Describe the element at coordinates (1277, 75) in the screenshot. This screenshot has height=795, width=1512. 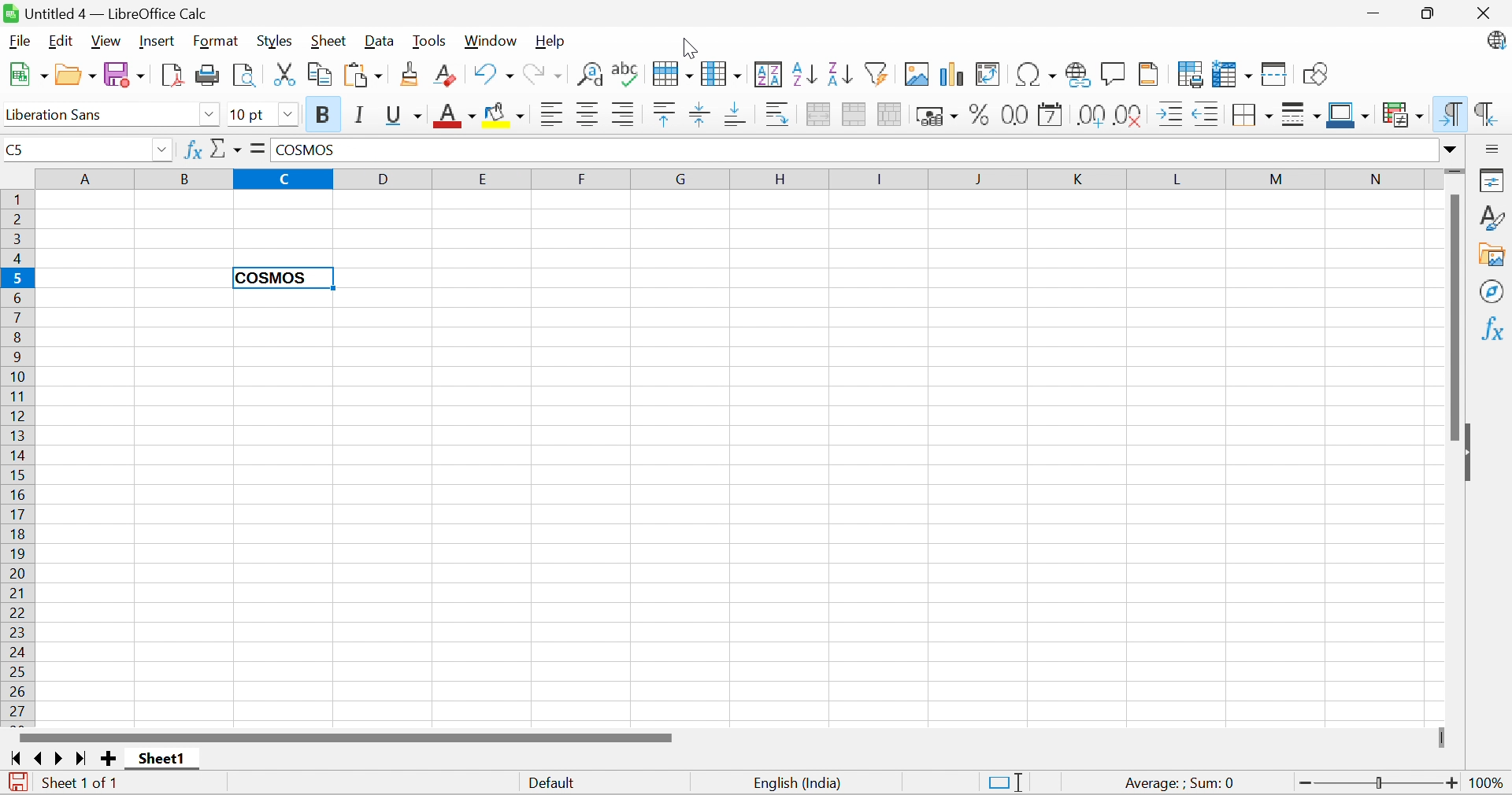
I see `Split Window` at that location.